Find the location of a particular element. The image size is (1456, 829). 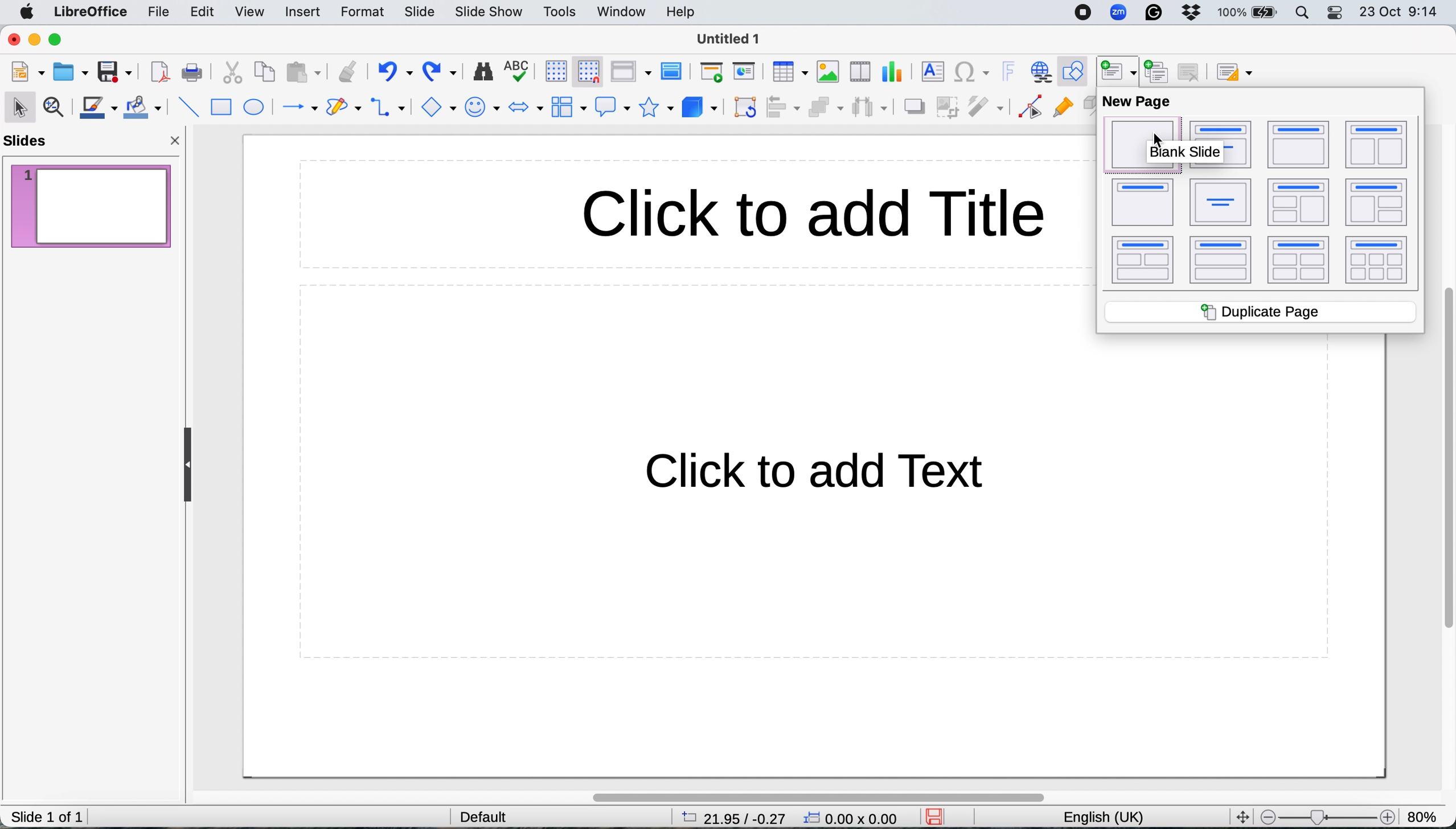

new is located at coordinates (27, 72).